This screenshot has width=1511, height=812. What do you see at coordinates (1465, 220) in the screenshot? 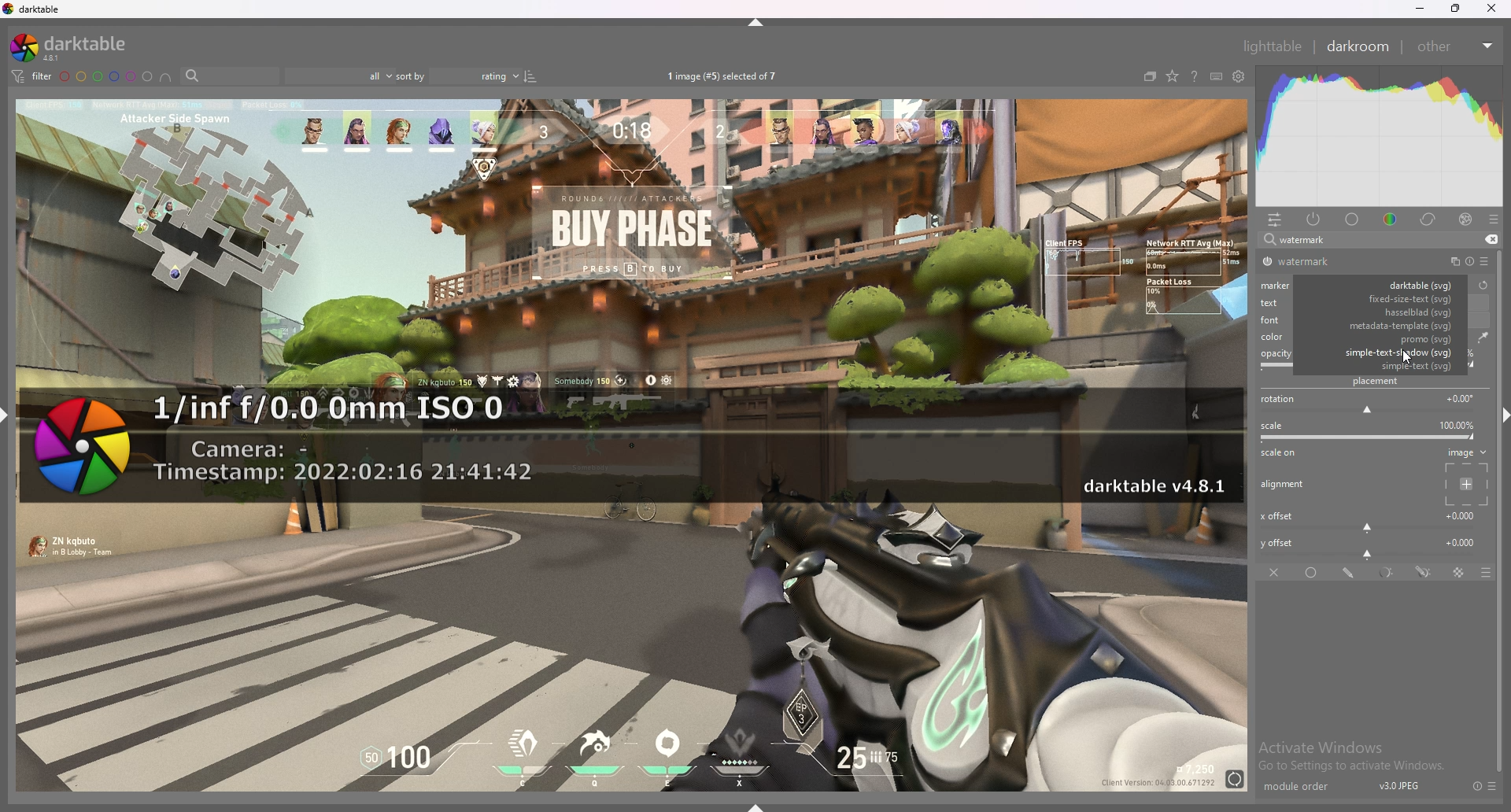
I see `effect` at bounding box center [1465, 220].